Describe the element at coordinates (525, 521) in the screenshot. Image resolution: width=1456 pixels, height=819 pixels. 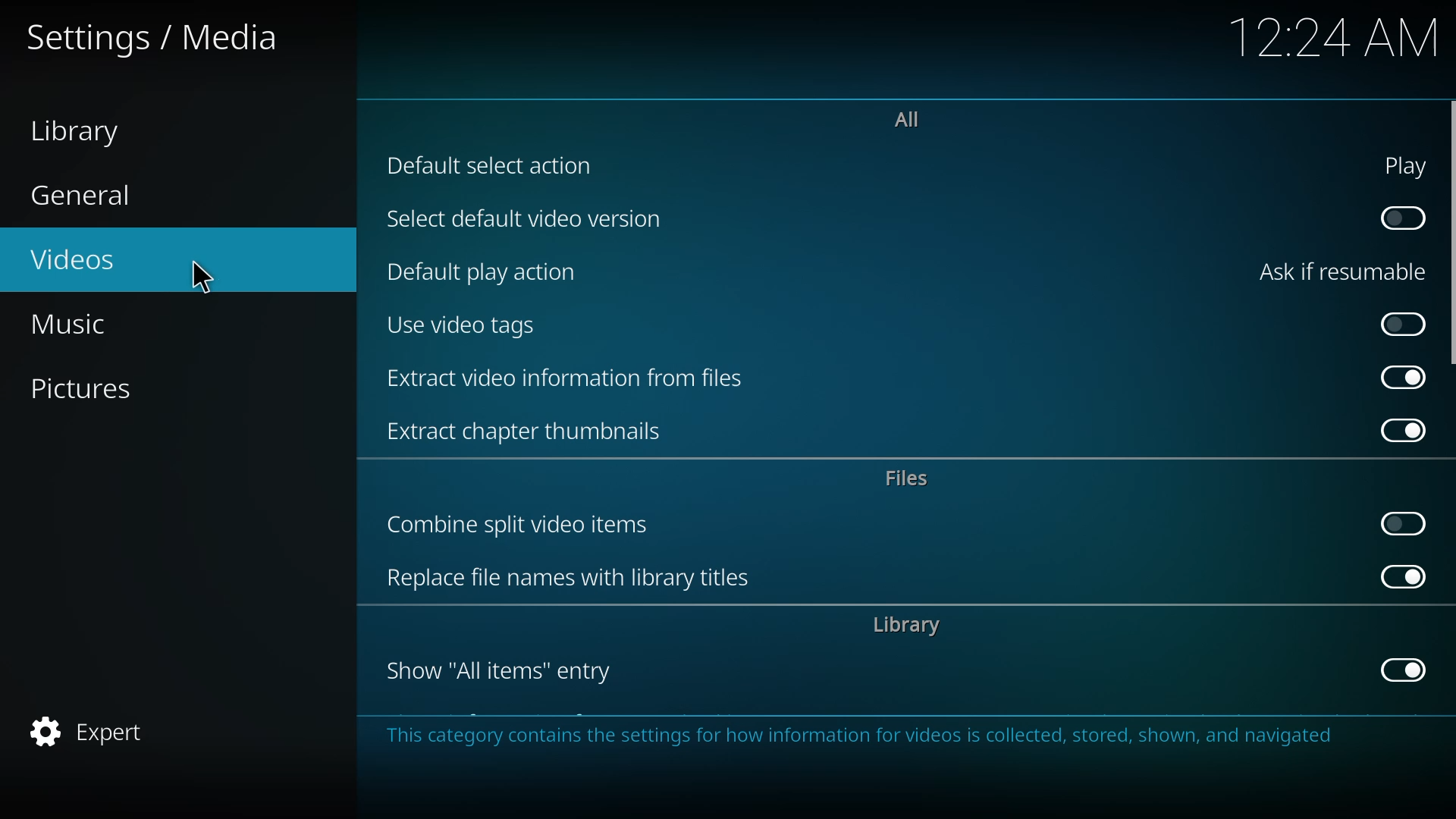
I see `combine split video items` at that location.